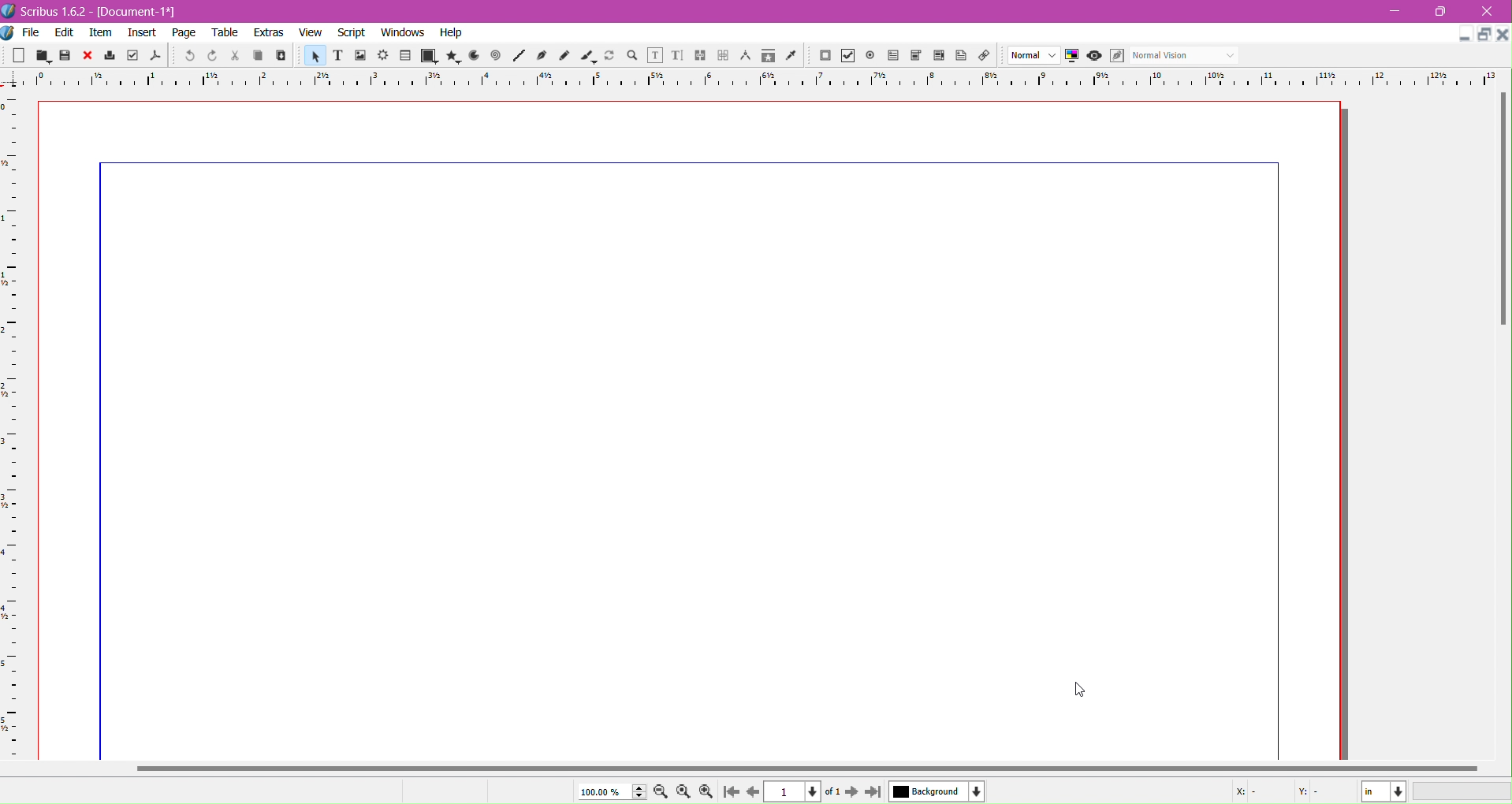 Image resolution: width=1512 pixels, height=804 pixels. What do you see at coordinates (519, 57) in the screenshot?
I see `line` at bounding box center [519, 57].